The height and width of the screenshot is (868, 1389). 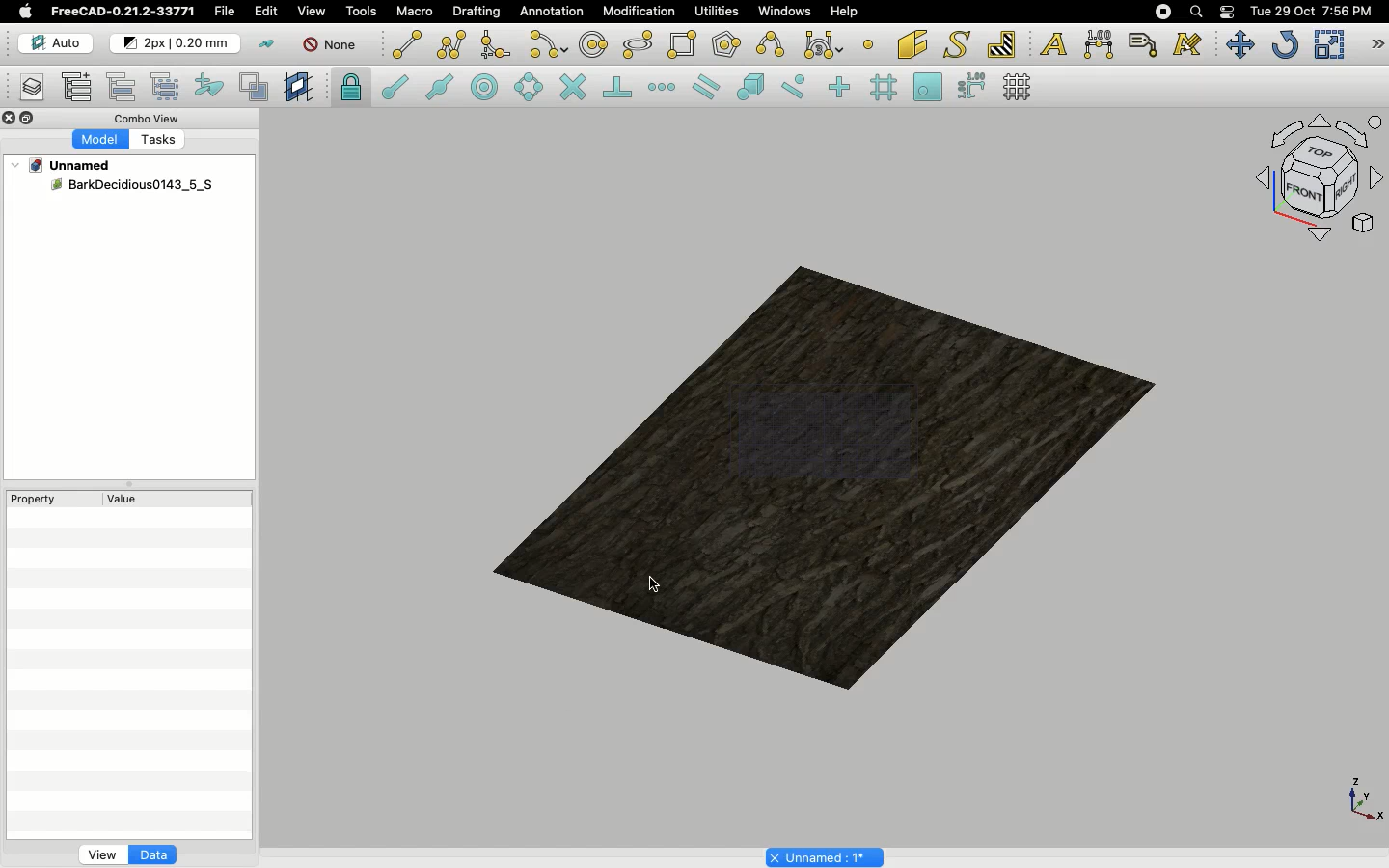 I want to click on View, so click(x=312, y=10).